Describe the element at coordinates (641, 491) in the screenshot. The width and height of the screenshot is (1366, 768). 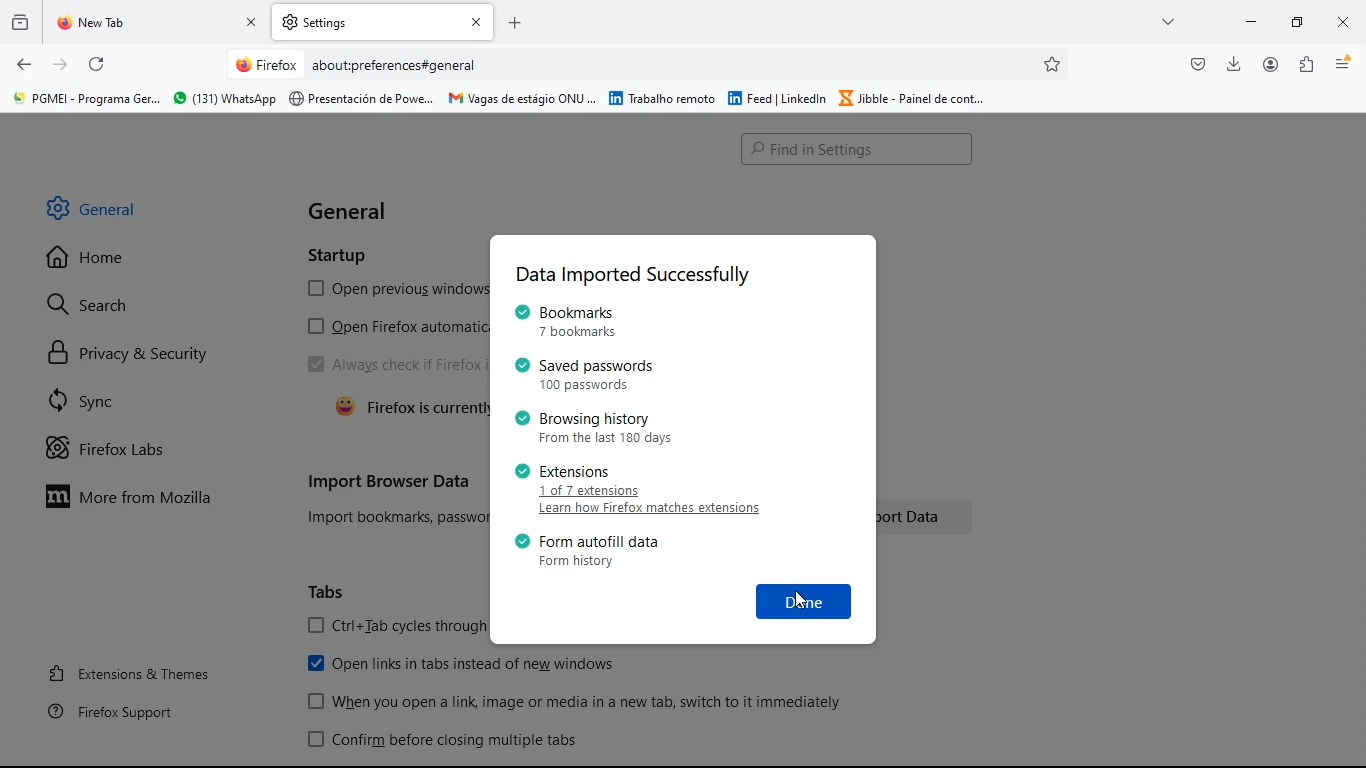
I see `‘© Extensions
1 of 7 extensions
Learn how Firefox matches extensions` at that location.